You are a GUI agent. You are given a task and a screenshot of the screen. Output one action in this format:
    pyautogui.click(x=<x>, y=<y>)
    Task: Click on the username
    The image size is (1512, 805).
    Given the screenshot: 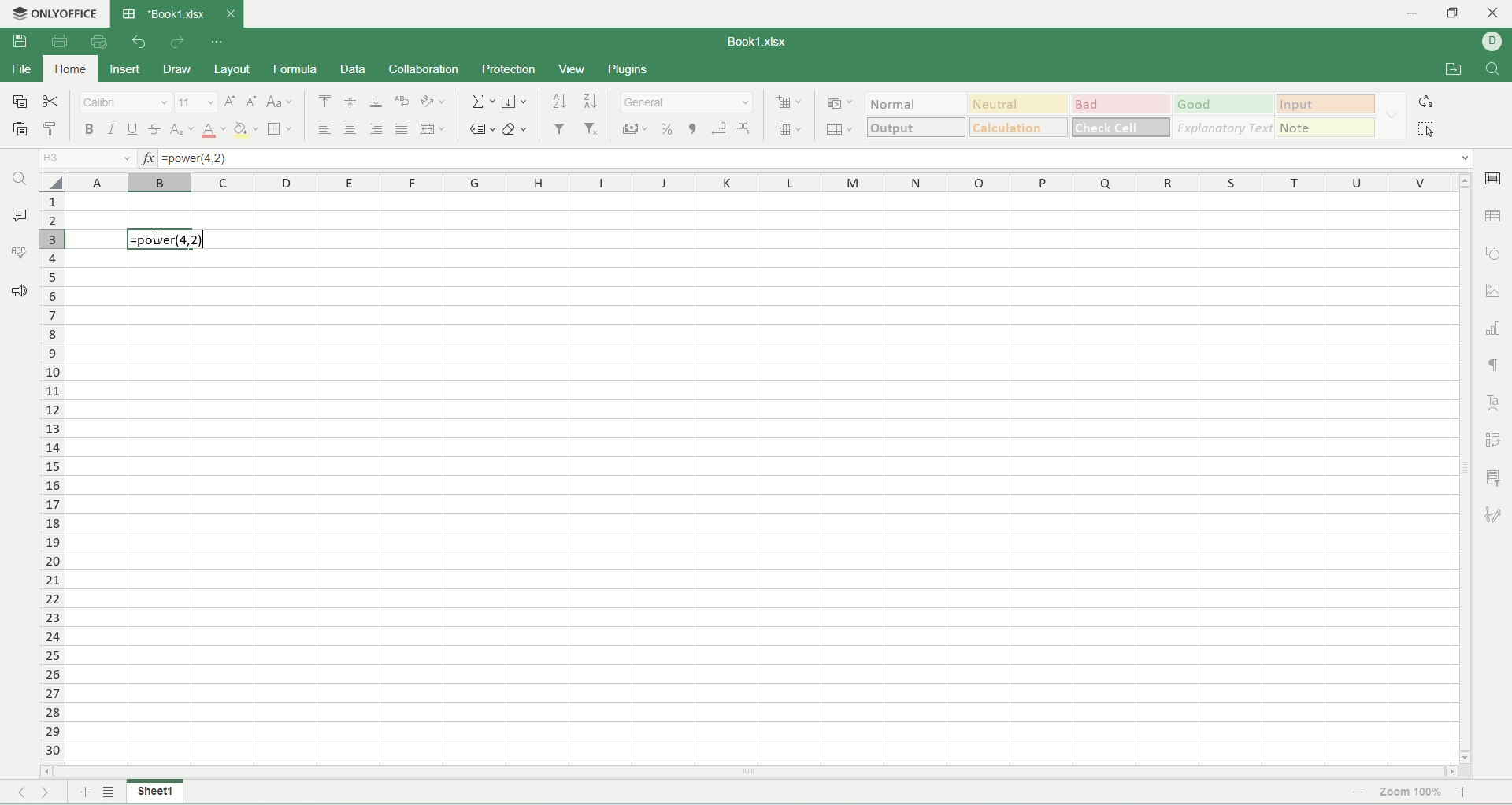 What is the action you would take?
    pyautogui.click(x=1497, y=41)
    